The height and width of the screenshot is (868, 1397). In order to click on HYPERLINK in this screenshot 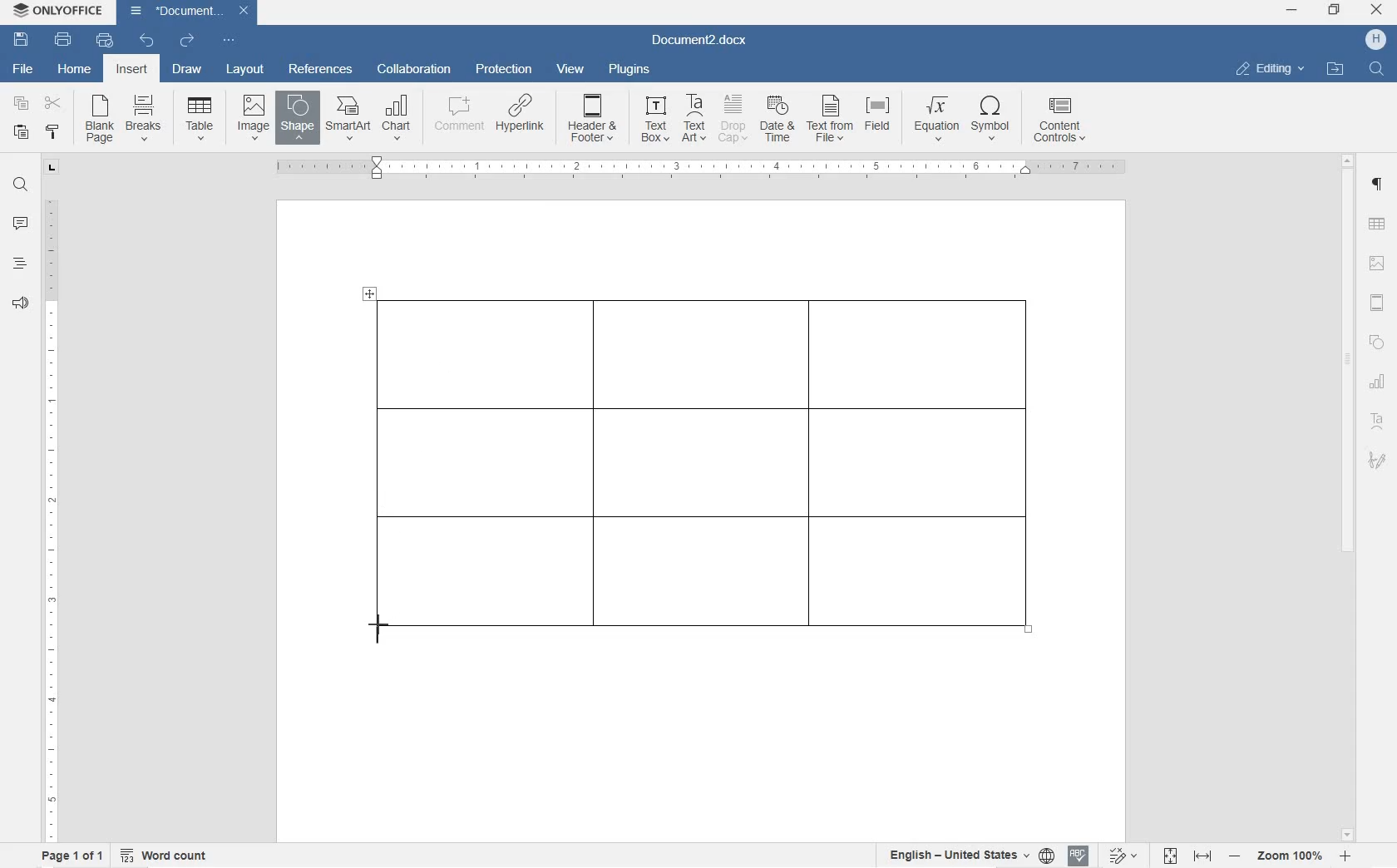, I will do `click(521, 119)`.